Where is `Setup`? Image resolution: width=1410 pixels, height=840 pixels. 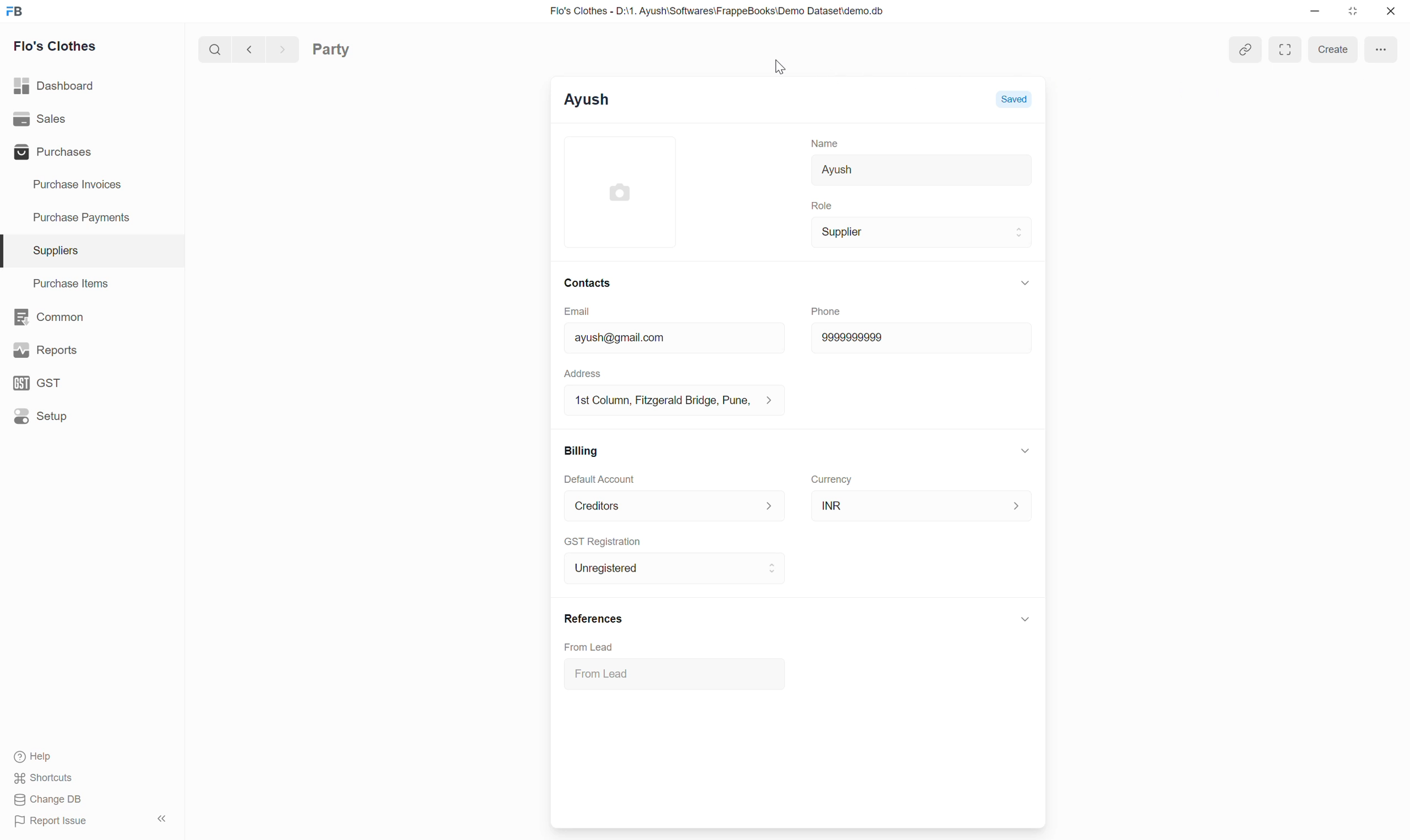
Setup is located at coordinates (91, 416).